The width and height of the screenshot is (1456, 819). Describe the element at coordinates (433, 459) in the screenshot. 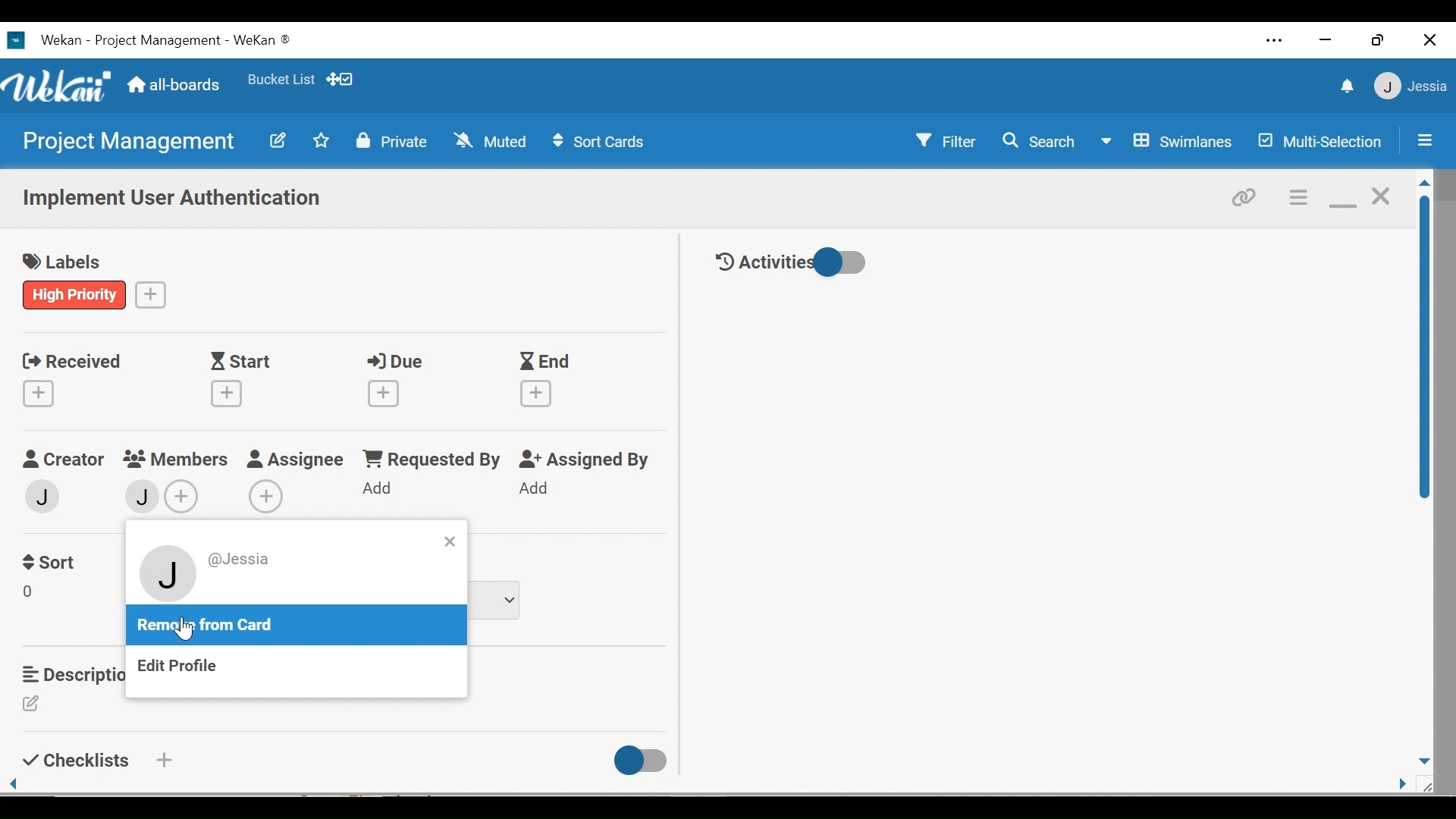

I see `Requested By` at that location.